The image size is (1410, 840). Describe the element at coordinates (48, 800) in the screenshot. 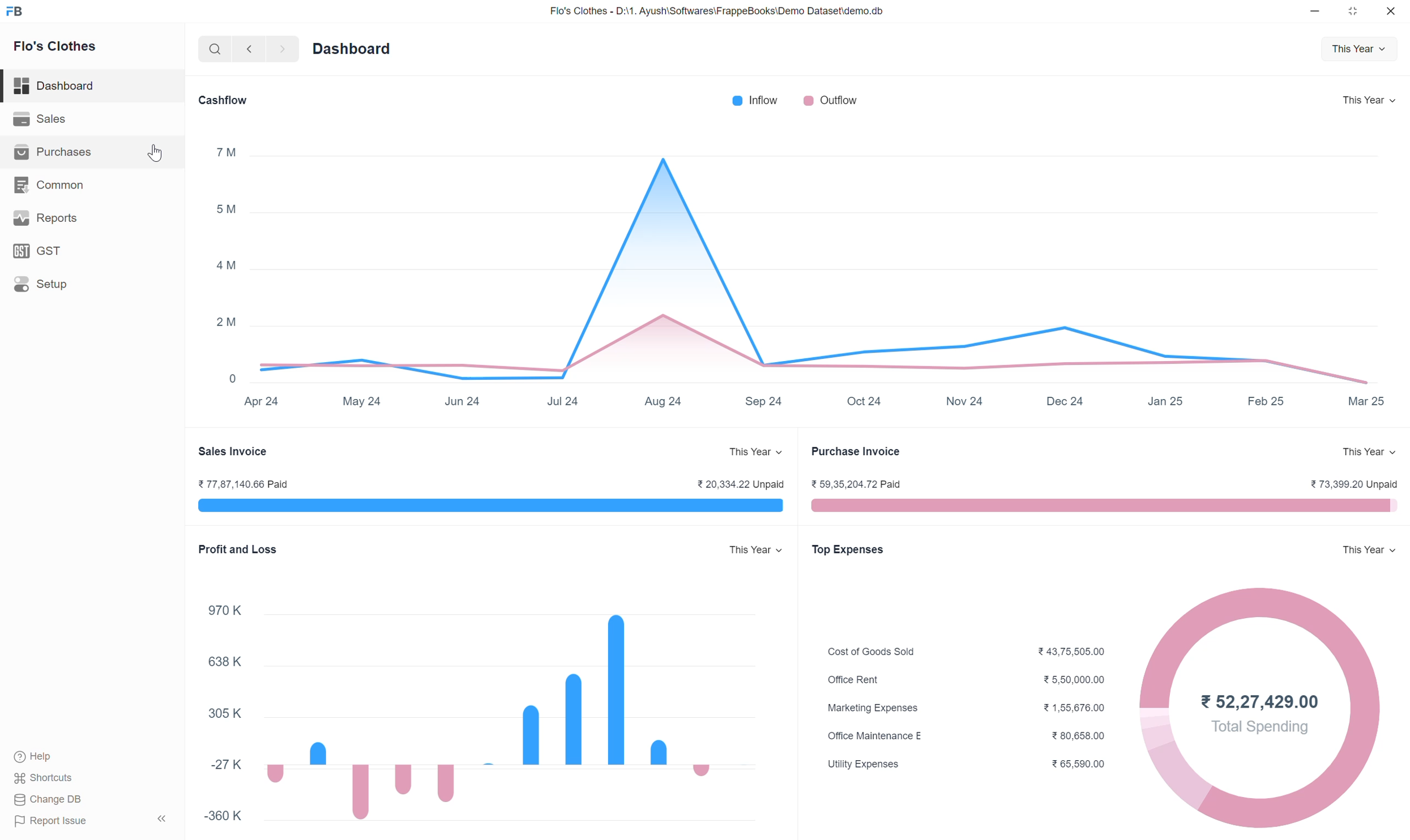

I see `Change DB` at that location.